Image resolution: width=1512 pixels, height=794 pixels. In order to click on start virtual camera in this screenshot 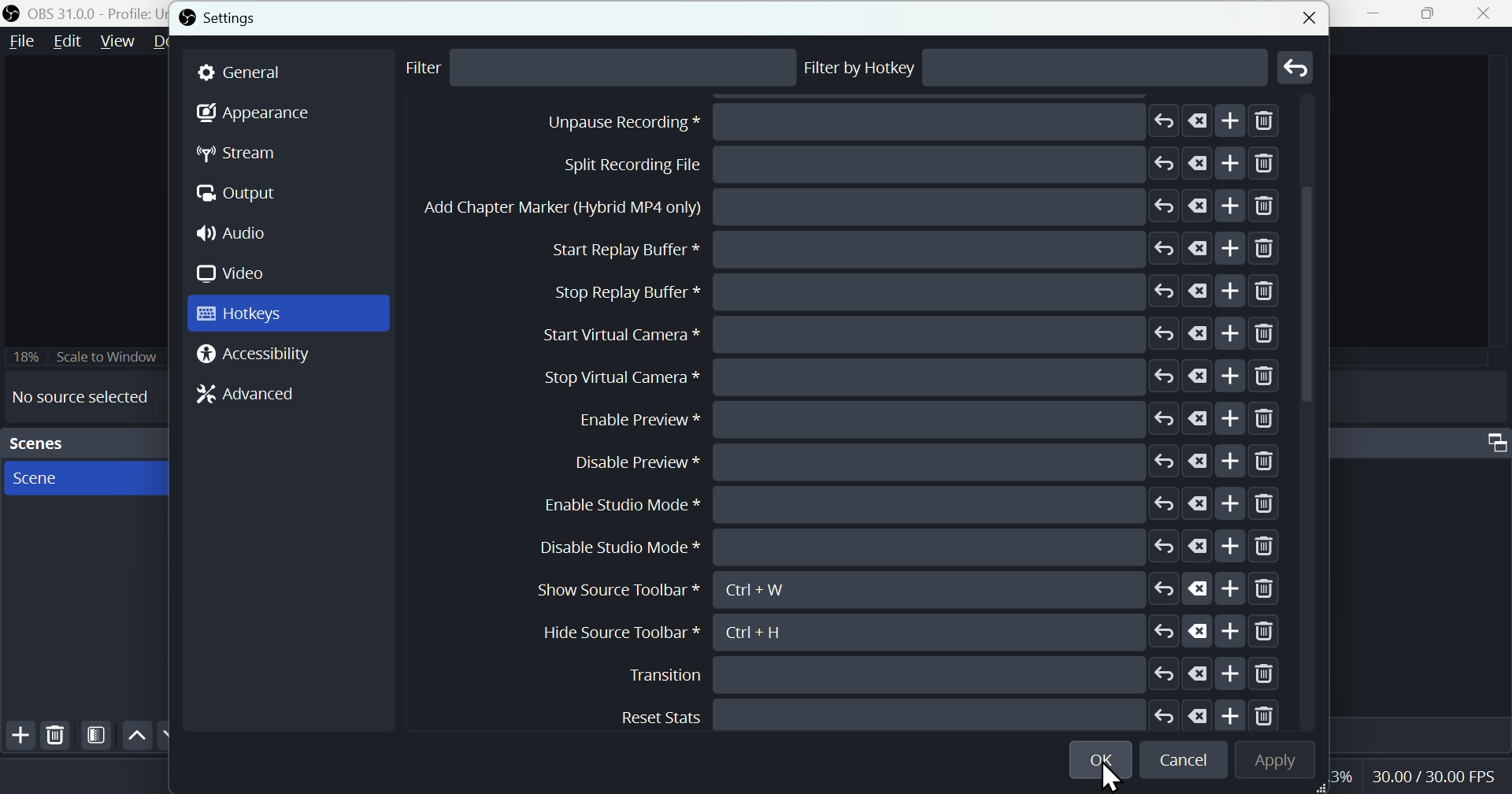, I will do `click(905, 504)`.